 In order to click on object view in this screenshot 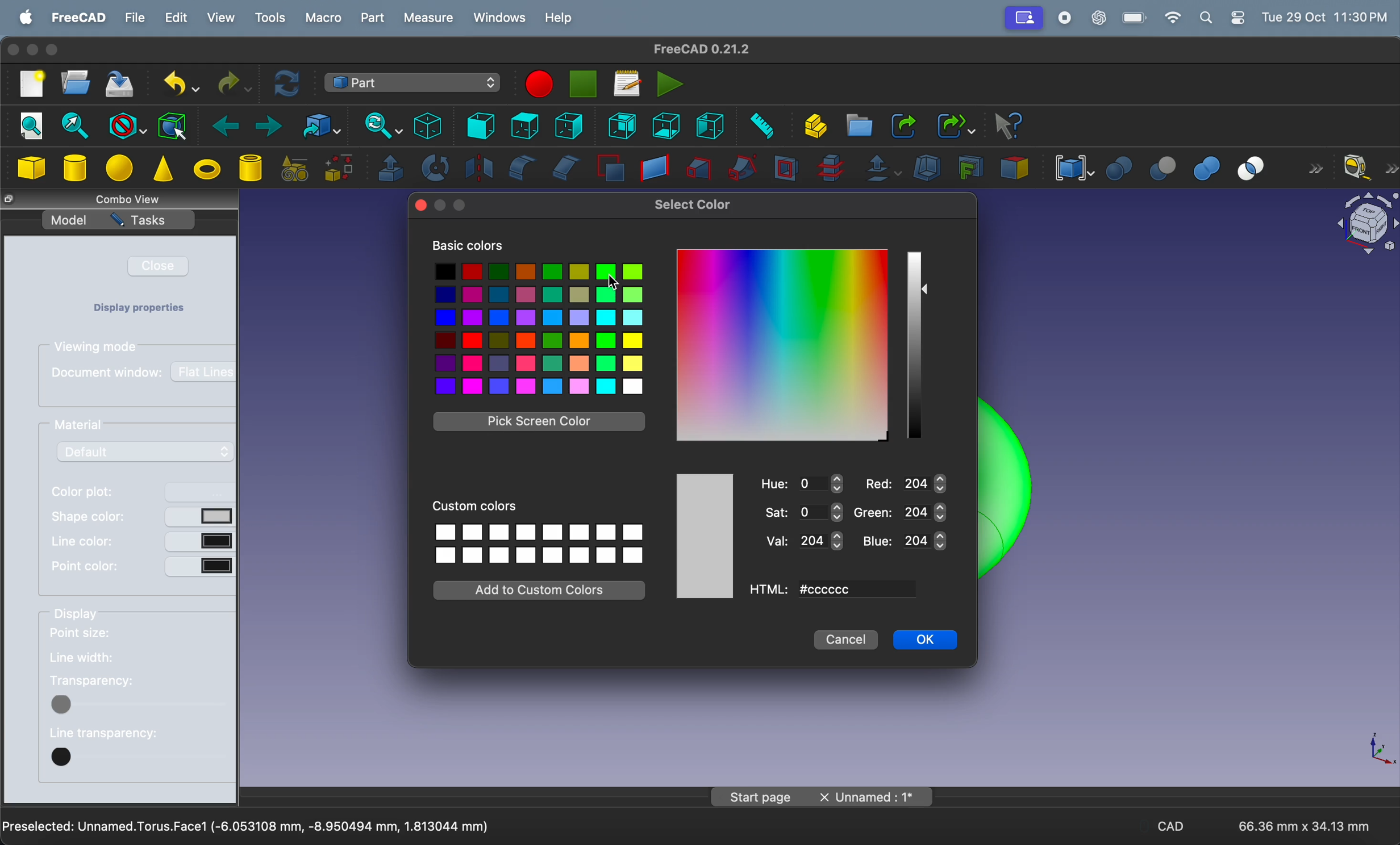, I will do `click(1366, 225)`.